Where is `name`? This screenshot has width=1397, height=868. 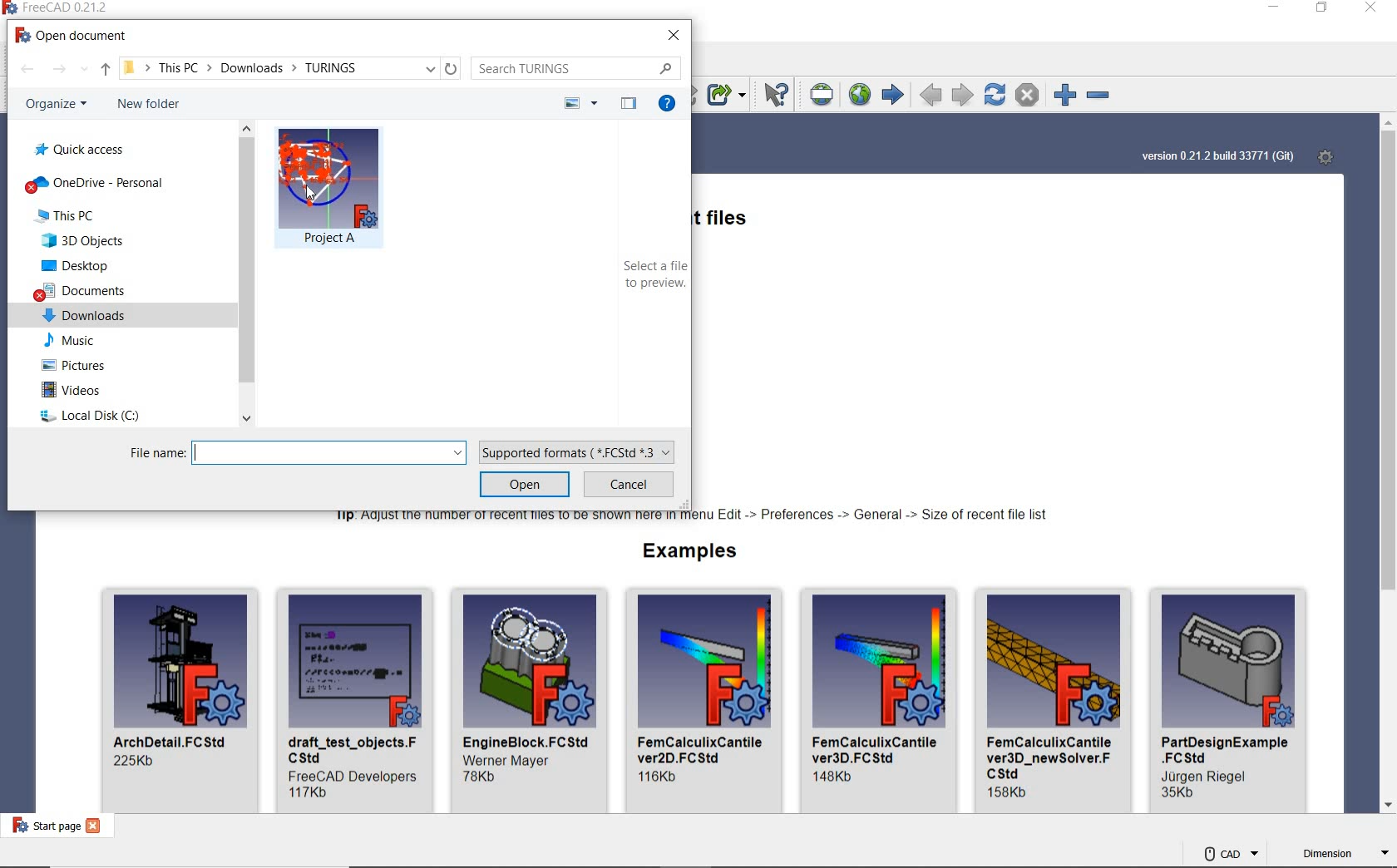
name is located at coordinates (1051, 756).